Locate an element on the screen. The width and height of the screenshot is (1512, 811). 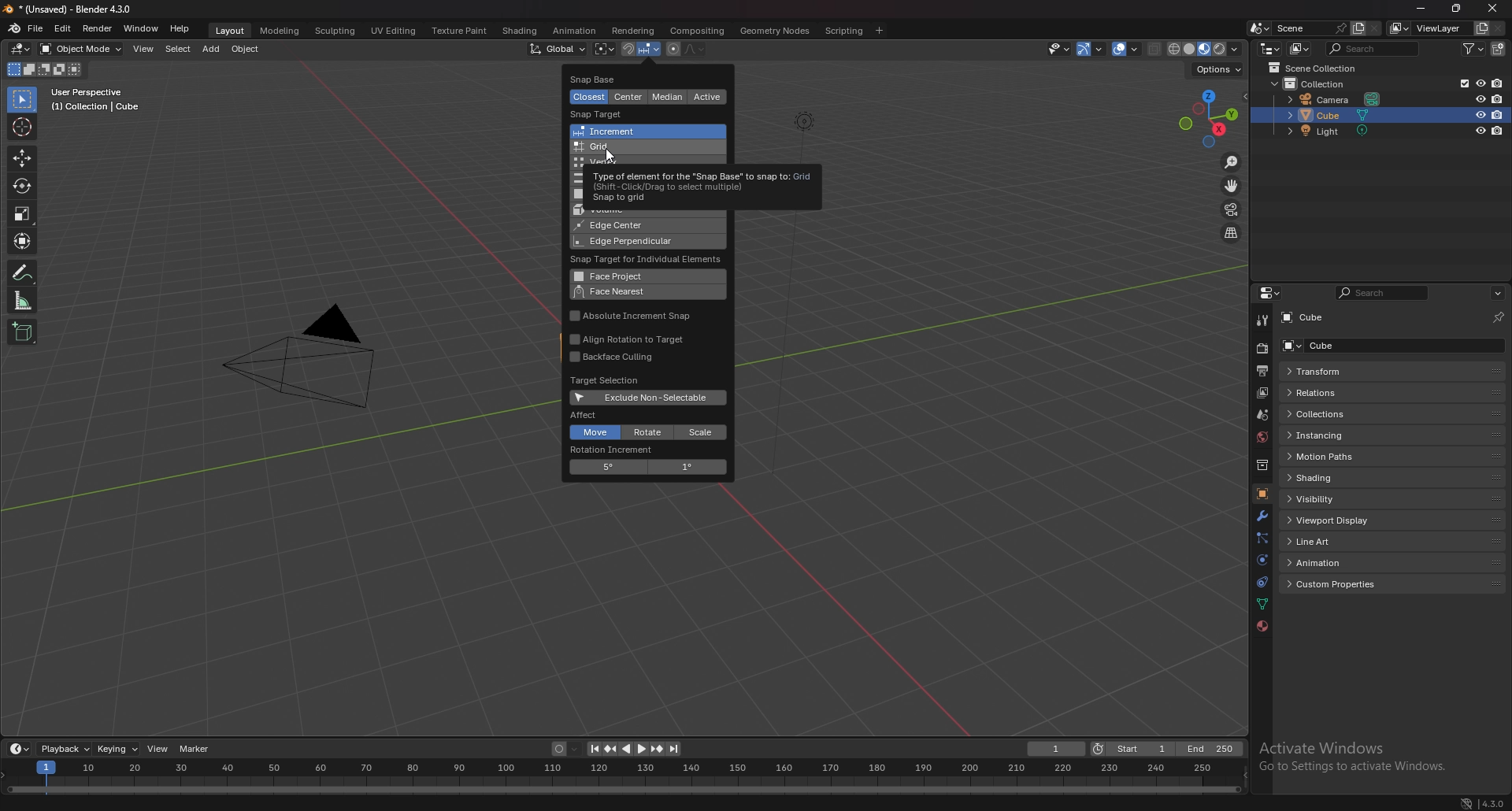
view is located at coordinates (143, 50).